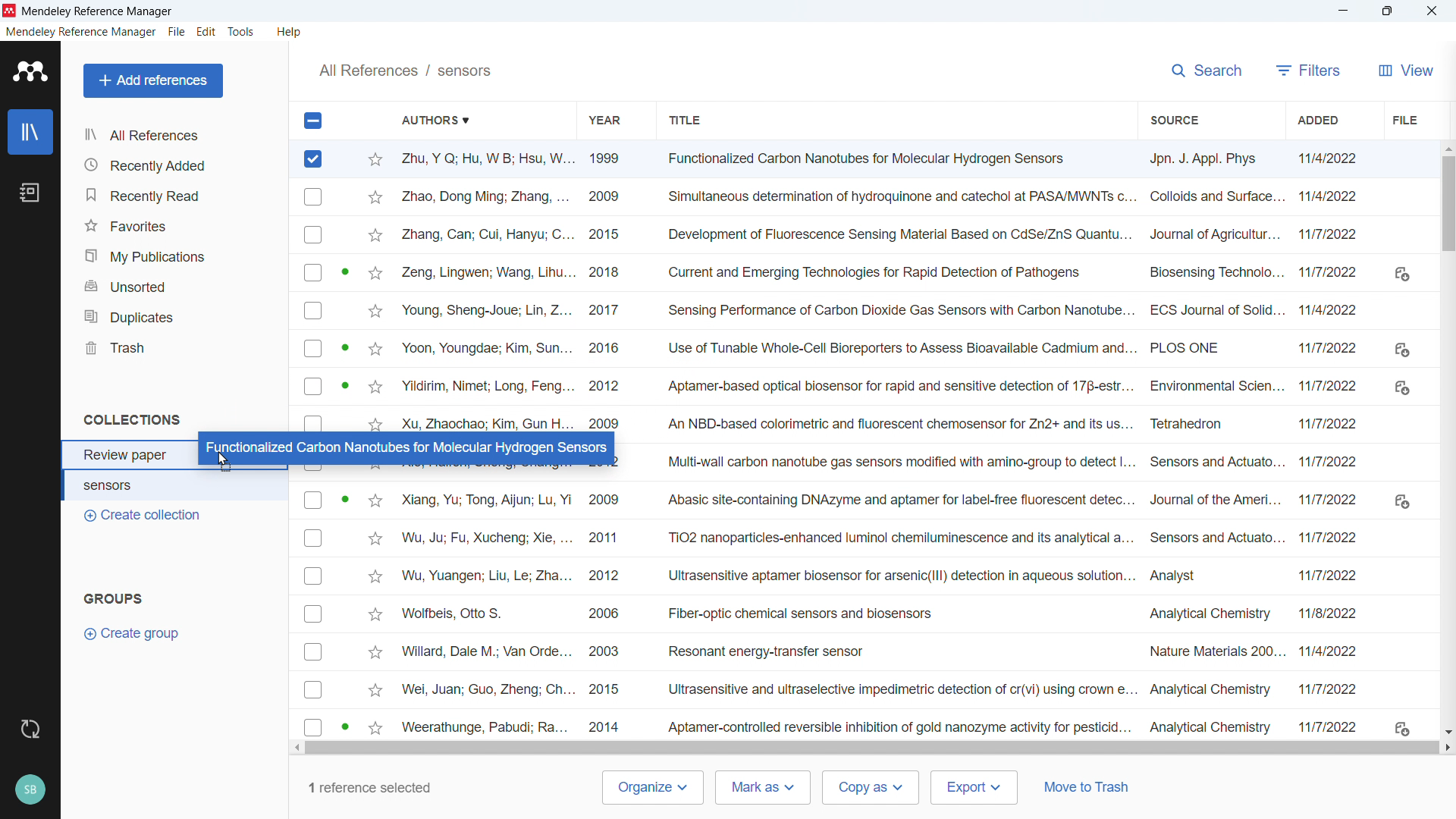 The image size is (1456, 819). I want to click on Reference being dragged , so click(404, 447).